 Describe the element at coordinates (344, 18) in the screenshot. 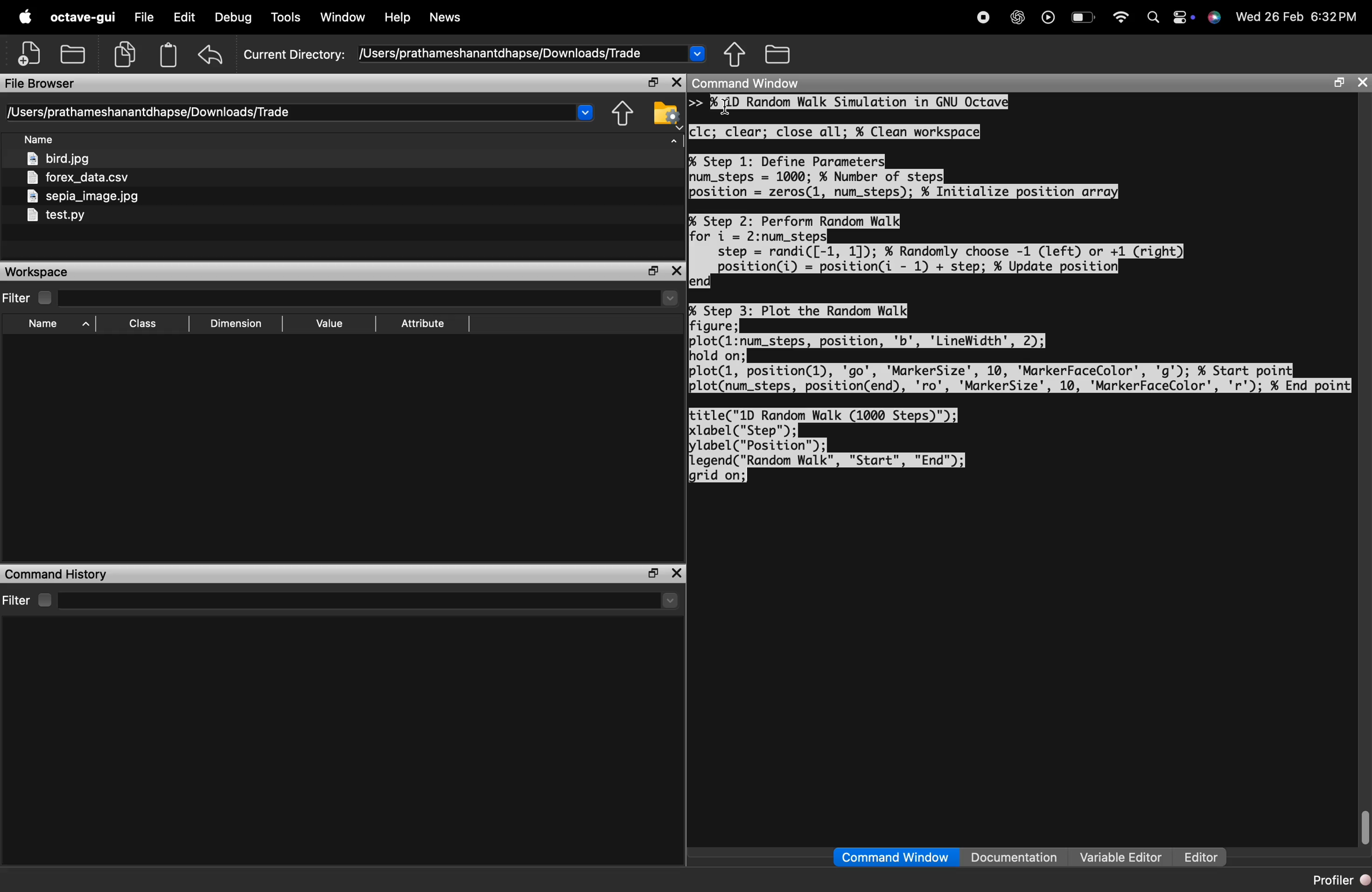

I see `window` at that location.